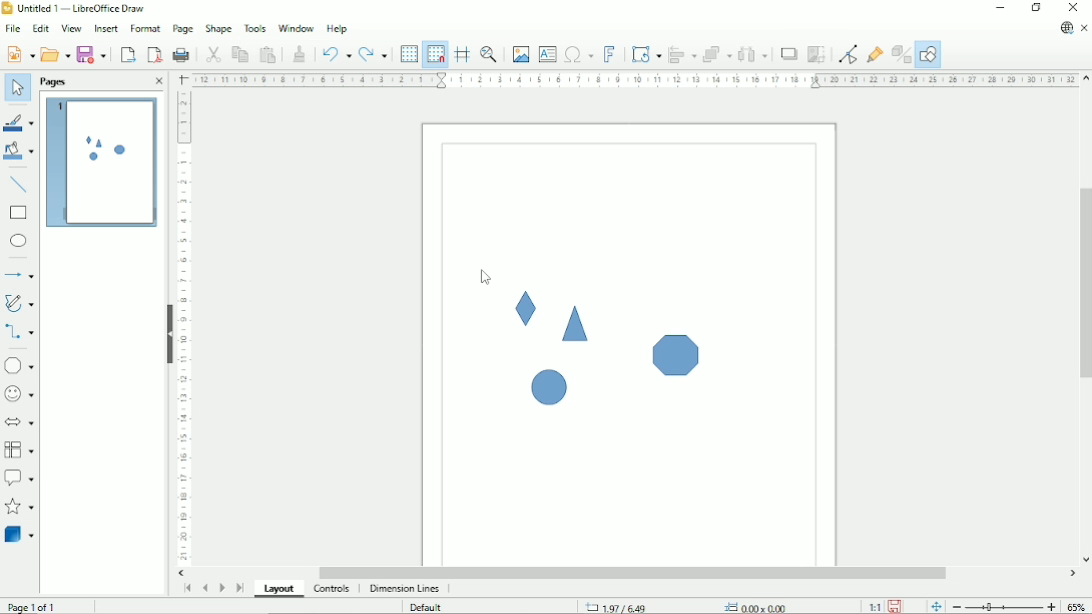 The width and height of the screenshot is (1092, 614). I want to click on Window, so click(296, 27).